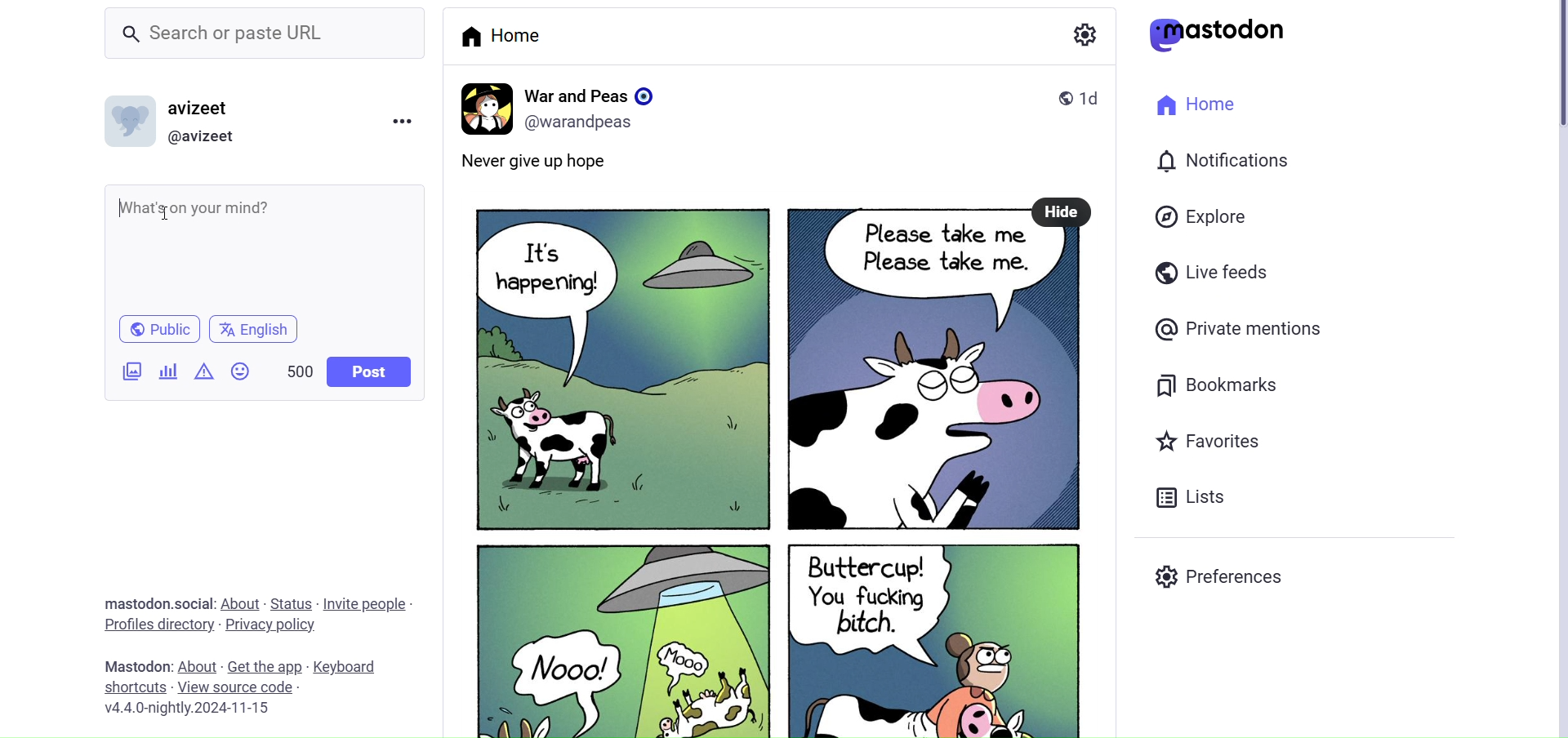 Image resolution: width=1568 pixels, height=738 pixels. What do you see at coordinates (1211, 273) in the screenshot?
I see `Live Feeds` at bounding box center [1211, 273].